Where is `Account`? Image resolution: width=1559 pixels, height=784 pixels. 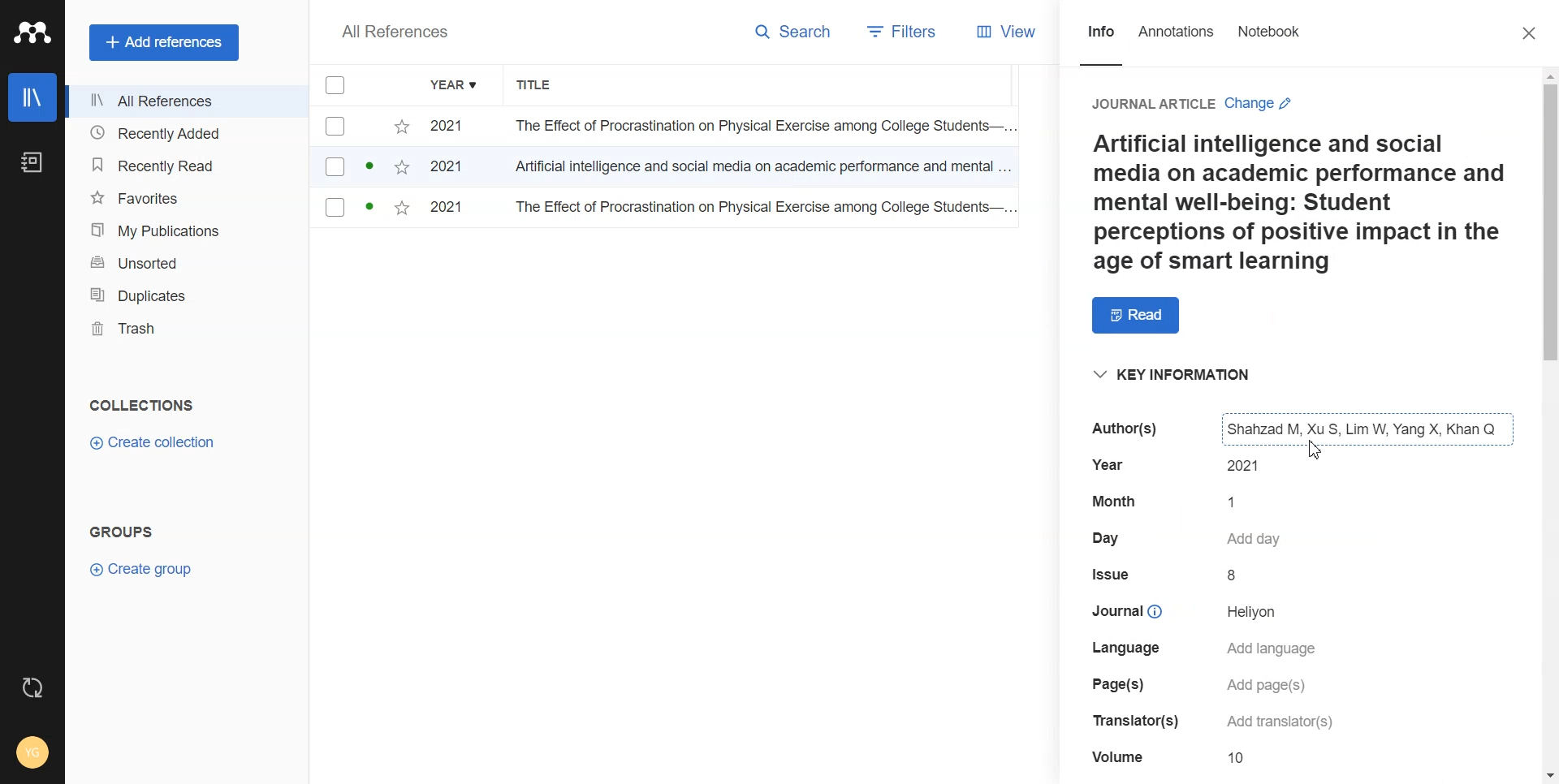 Account is located at coordinates (32, 752).